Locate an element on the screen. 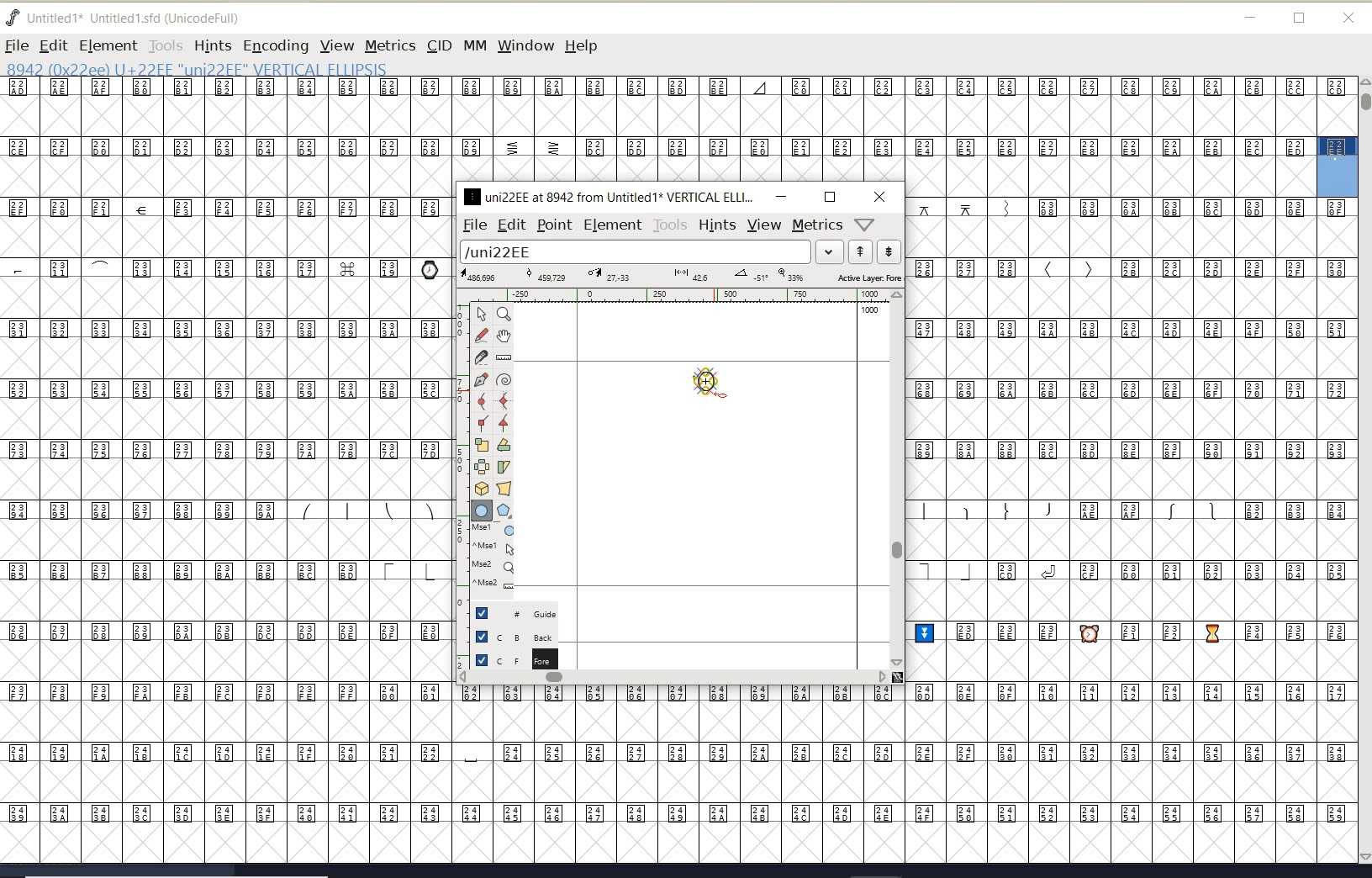 The height and width of the screenshot is (878, 1372). tools is located at coordinates (671, 225).